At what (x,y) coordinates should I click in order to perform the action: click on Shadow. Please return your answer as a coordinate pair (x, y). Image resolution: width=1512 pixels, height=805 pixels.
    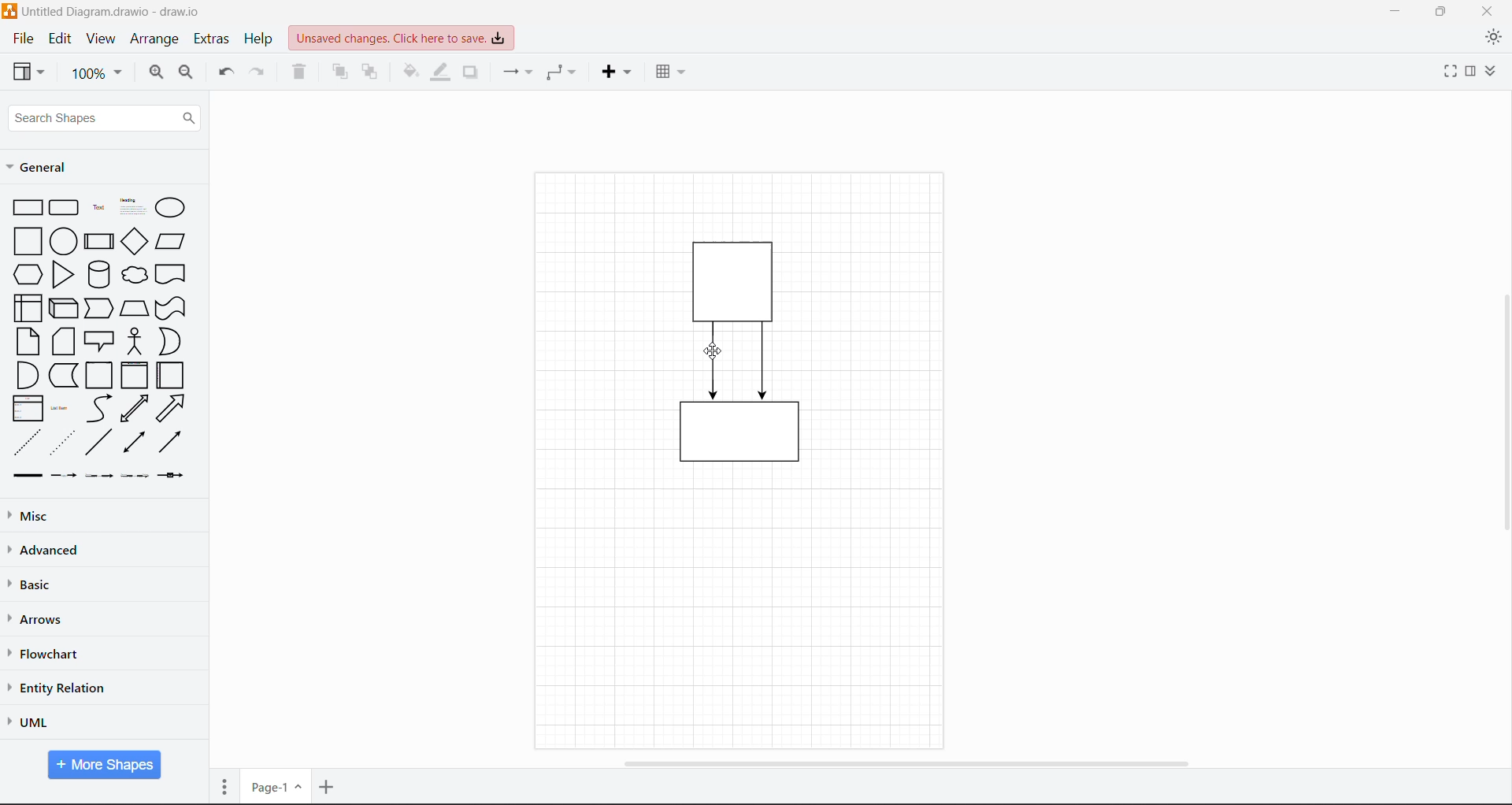
    Looking at the image, I should click on (470, 72).